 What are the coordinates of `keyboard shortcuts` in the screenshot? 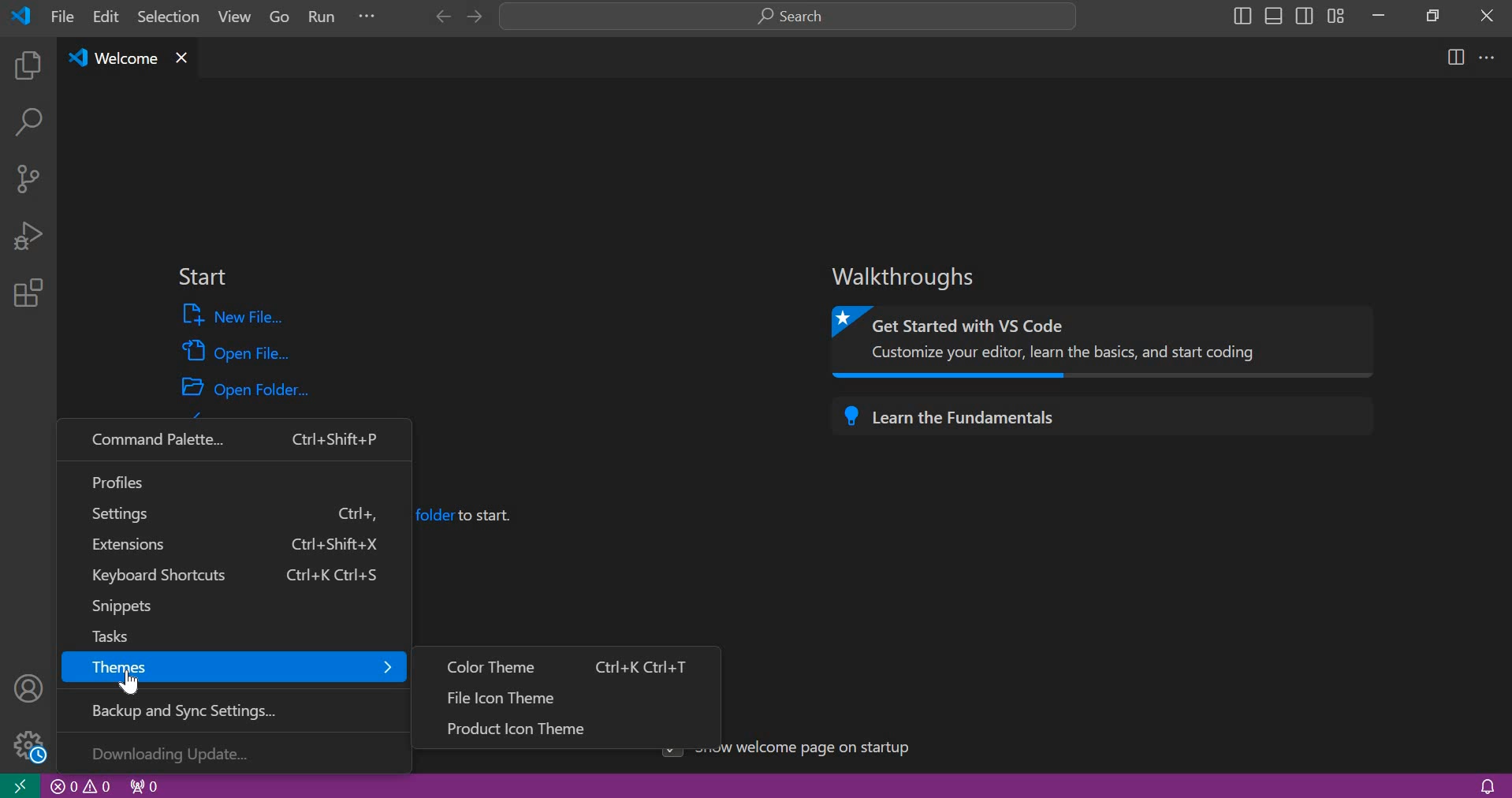 It's located at (230, 576).